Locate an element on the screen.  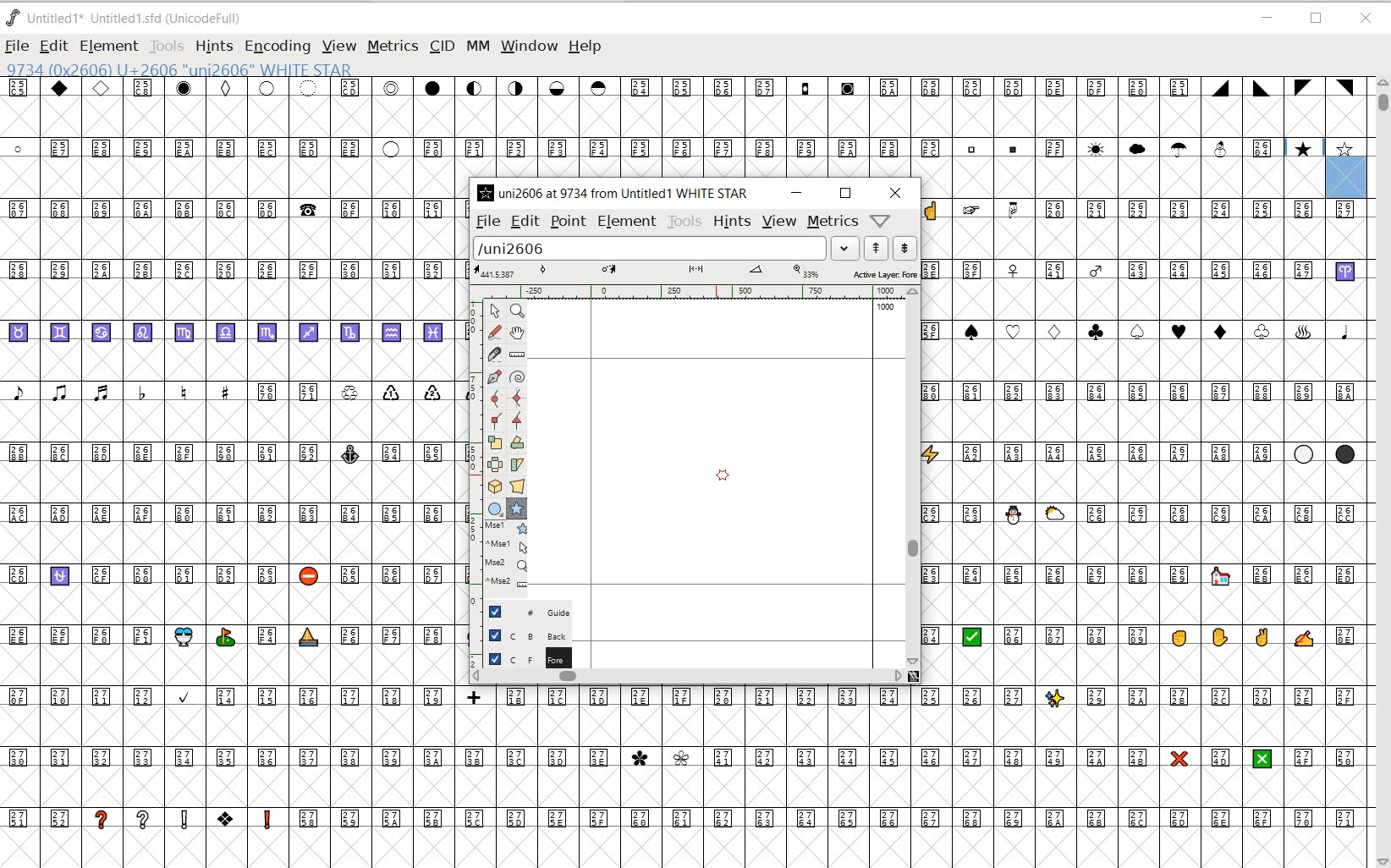
ADD A CURVE POINT is located at coordinates (498, 398).